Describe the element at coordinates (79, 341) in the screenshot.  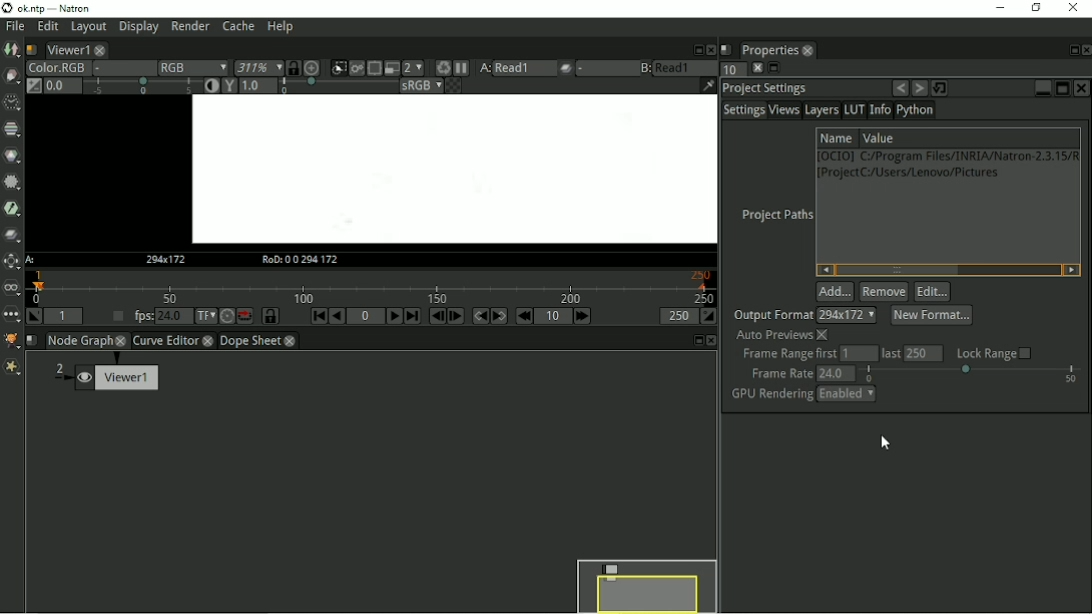
I see `Node Graph` at that location.